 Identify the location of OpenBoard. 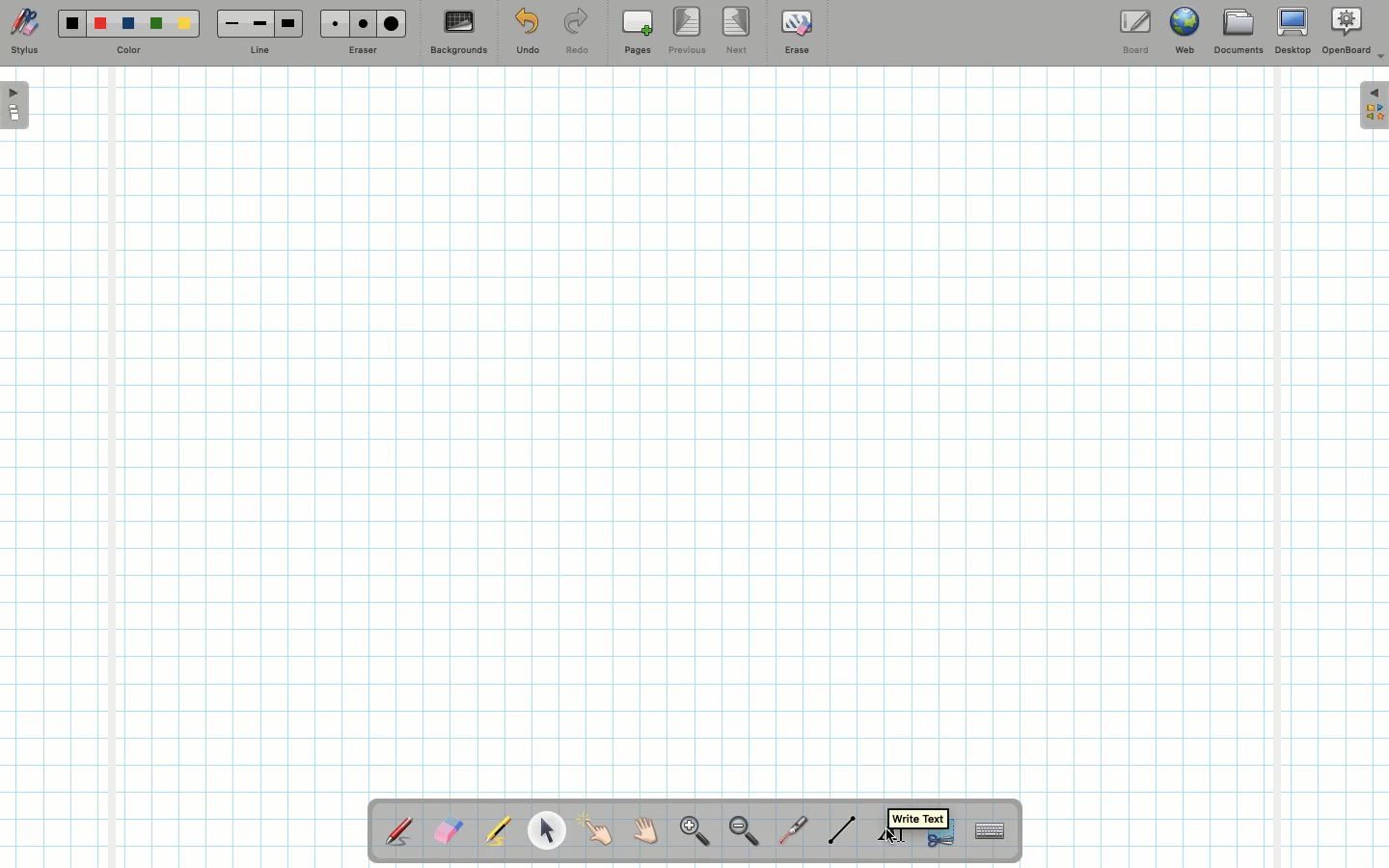
(1353, 31).